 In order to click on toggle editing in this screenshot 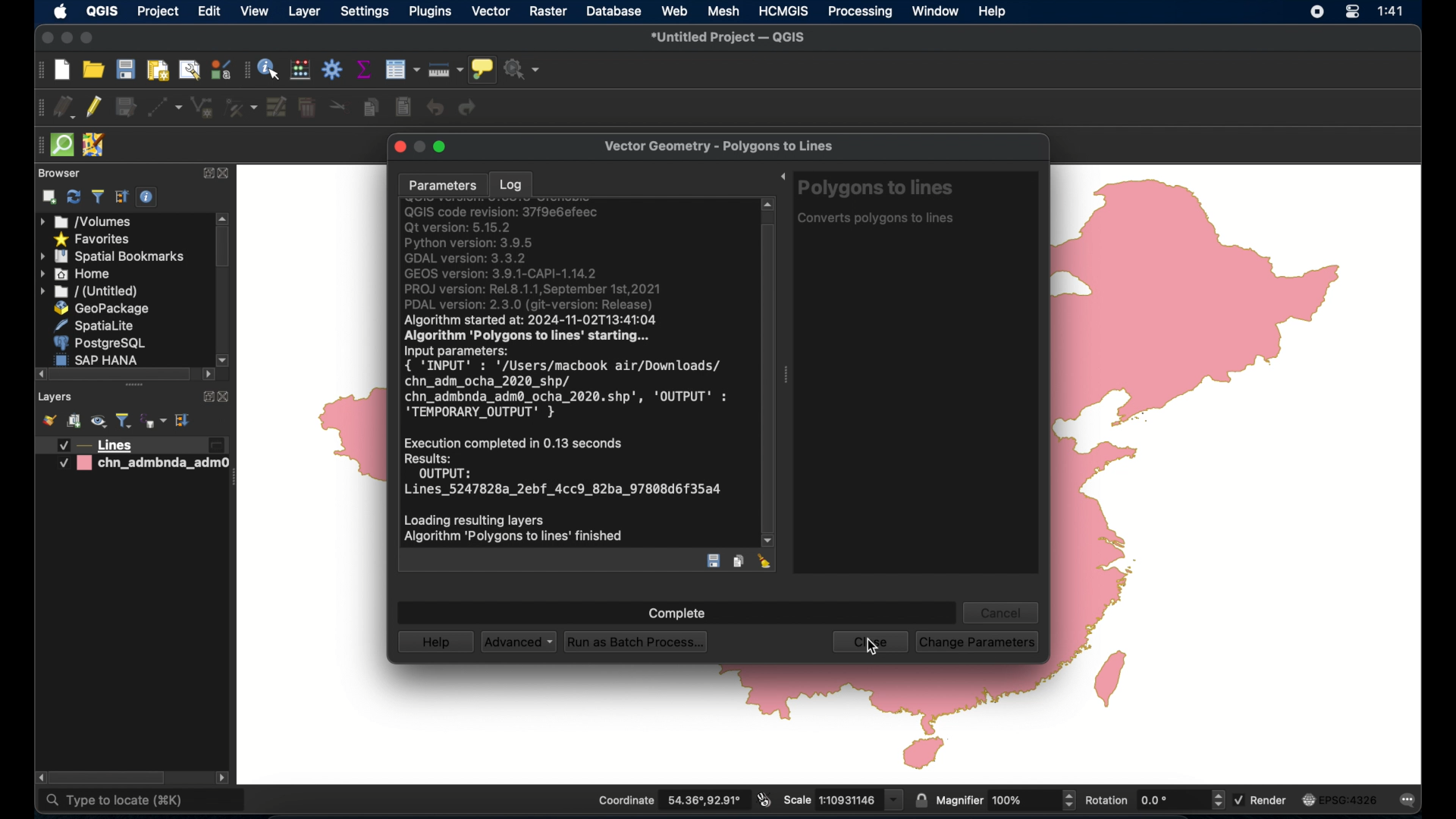, I will do `click(93, 108)`.